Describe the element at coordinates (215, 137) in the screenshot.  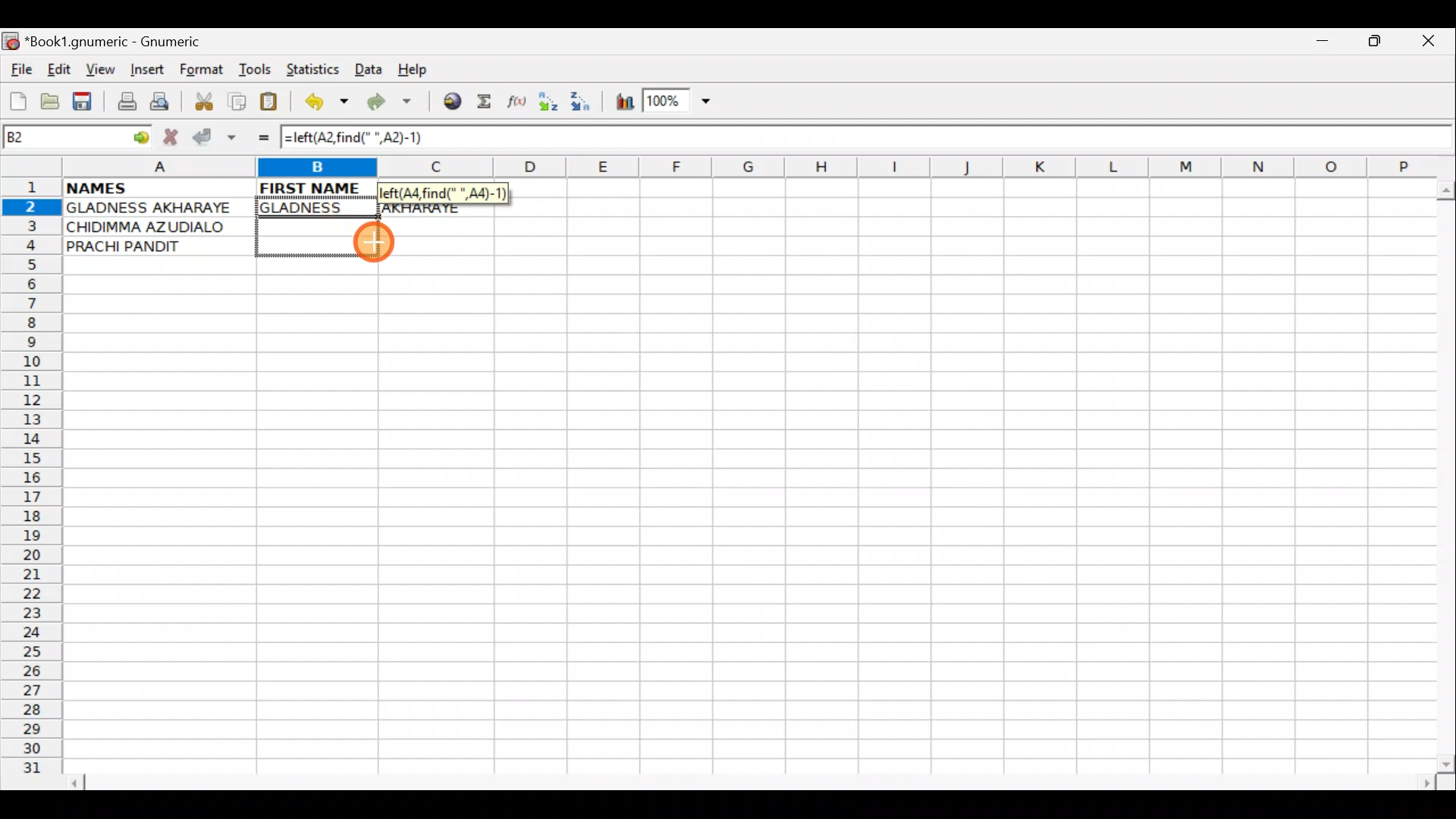
I see `Accept change` at that location.